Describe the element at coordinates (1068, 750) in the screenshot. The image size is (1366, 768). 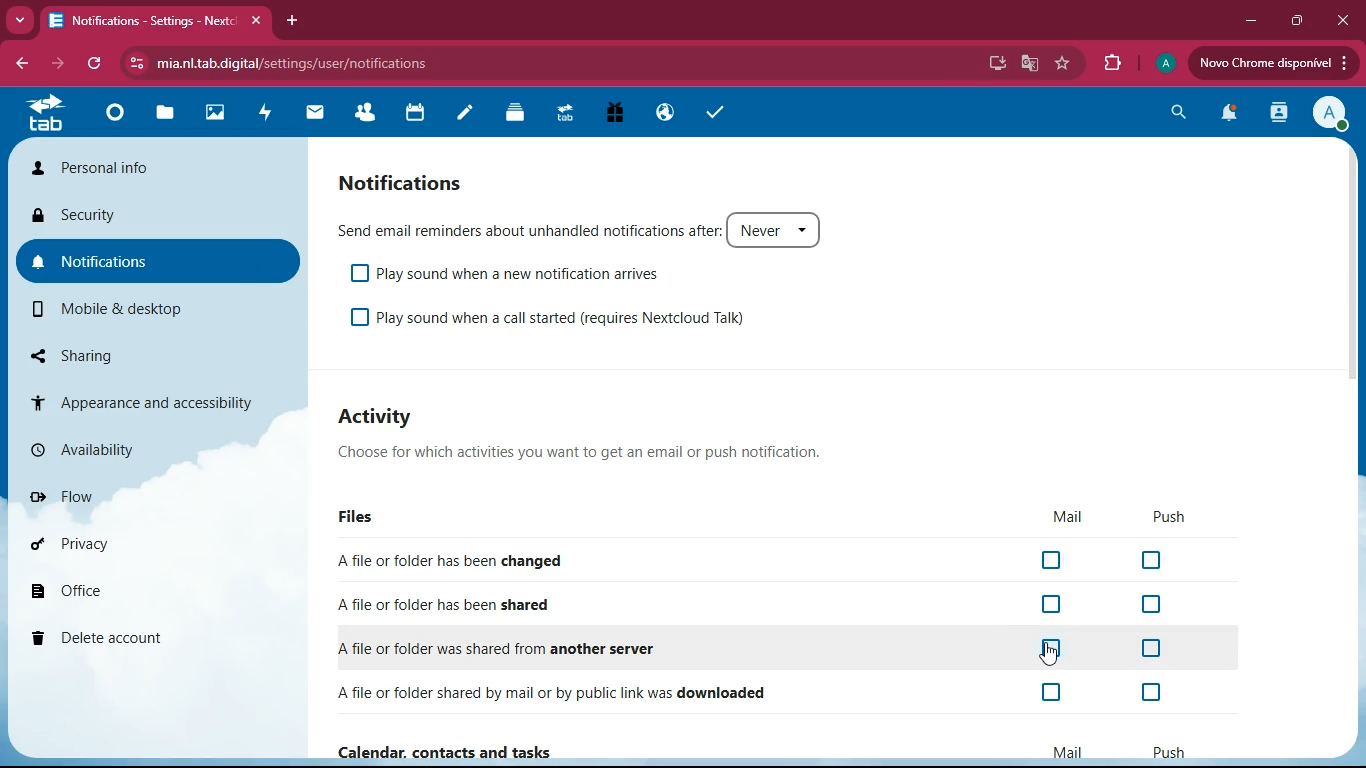
I see `mail` at that location.